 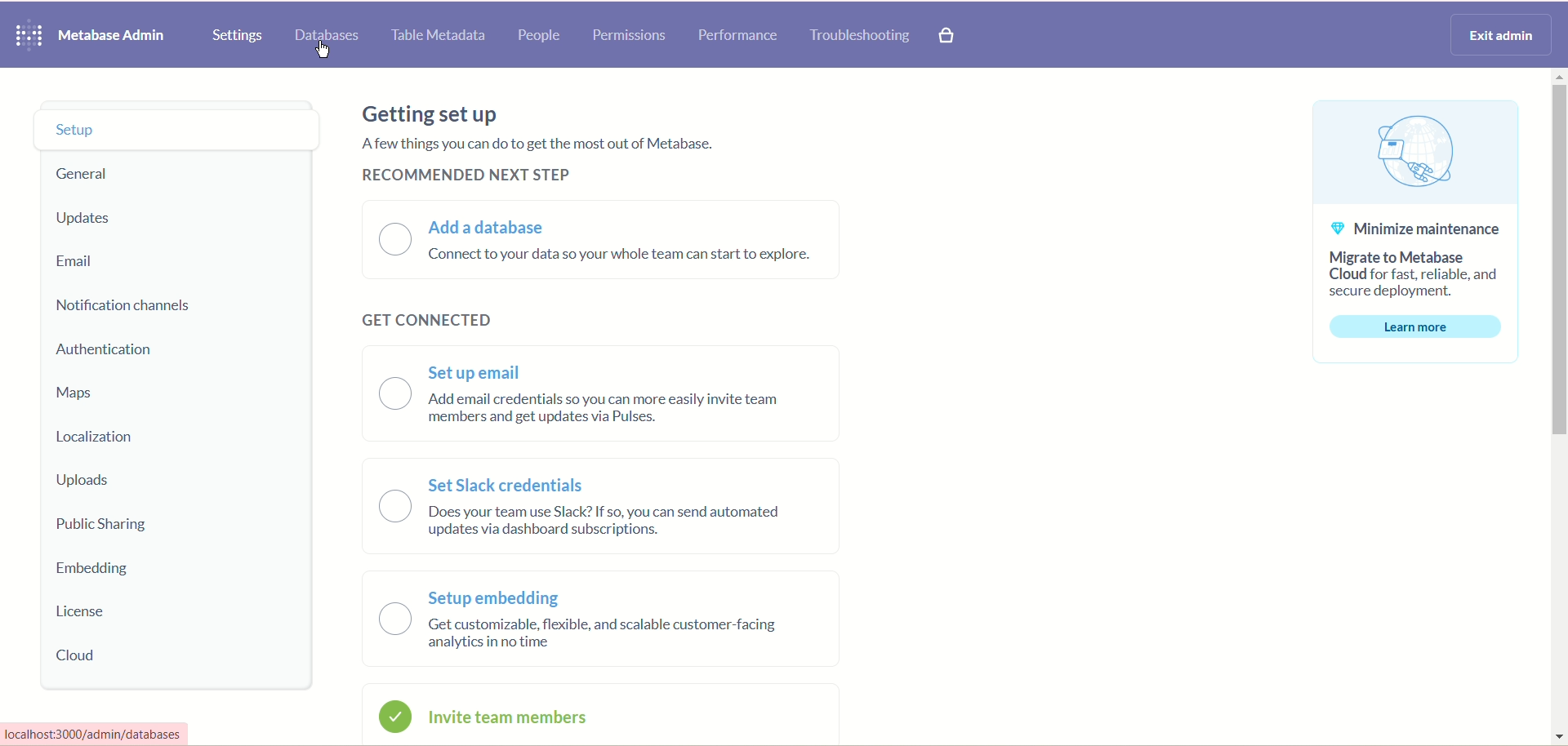 I want to click on toggle button, so click(x=394, y=242).